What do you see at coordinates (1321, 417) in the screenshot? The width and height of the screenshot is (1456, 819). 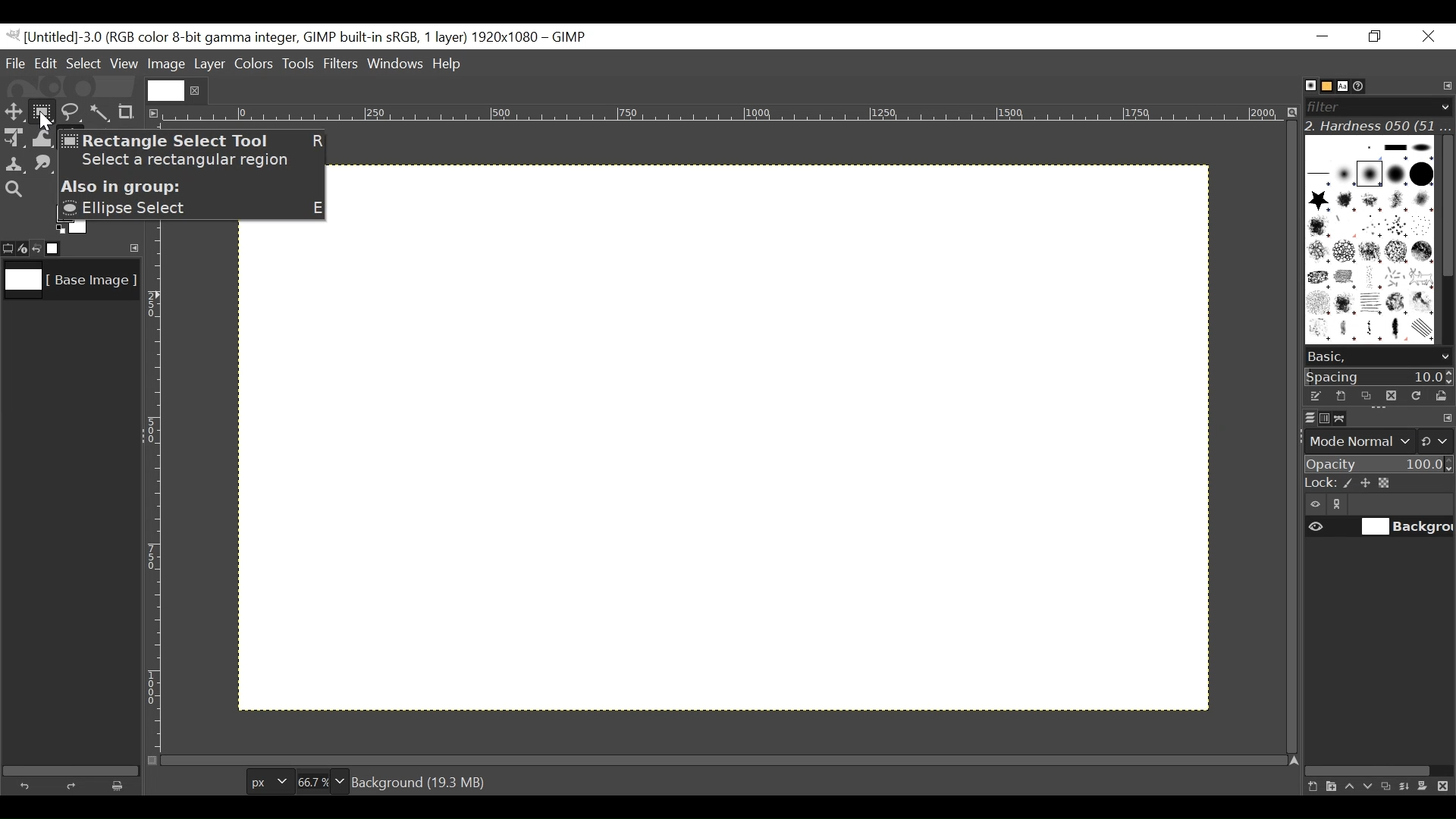 I see `Channels` at bounding box center [1321, 417].